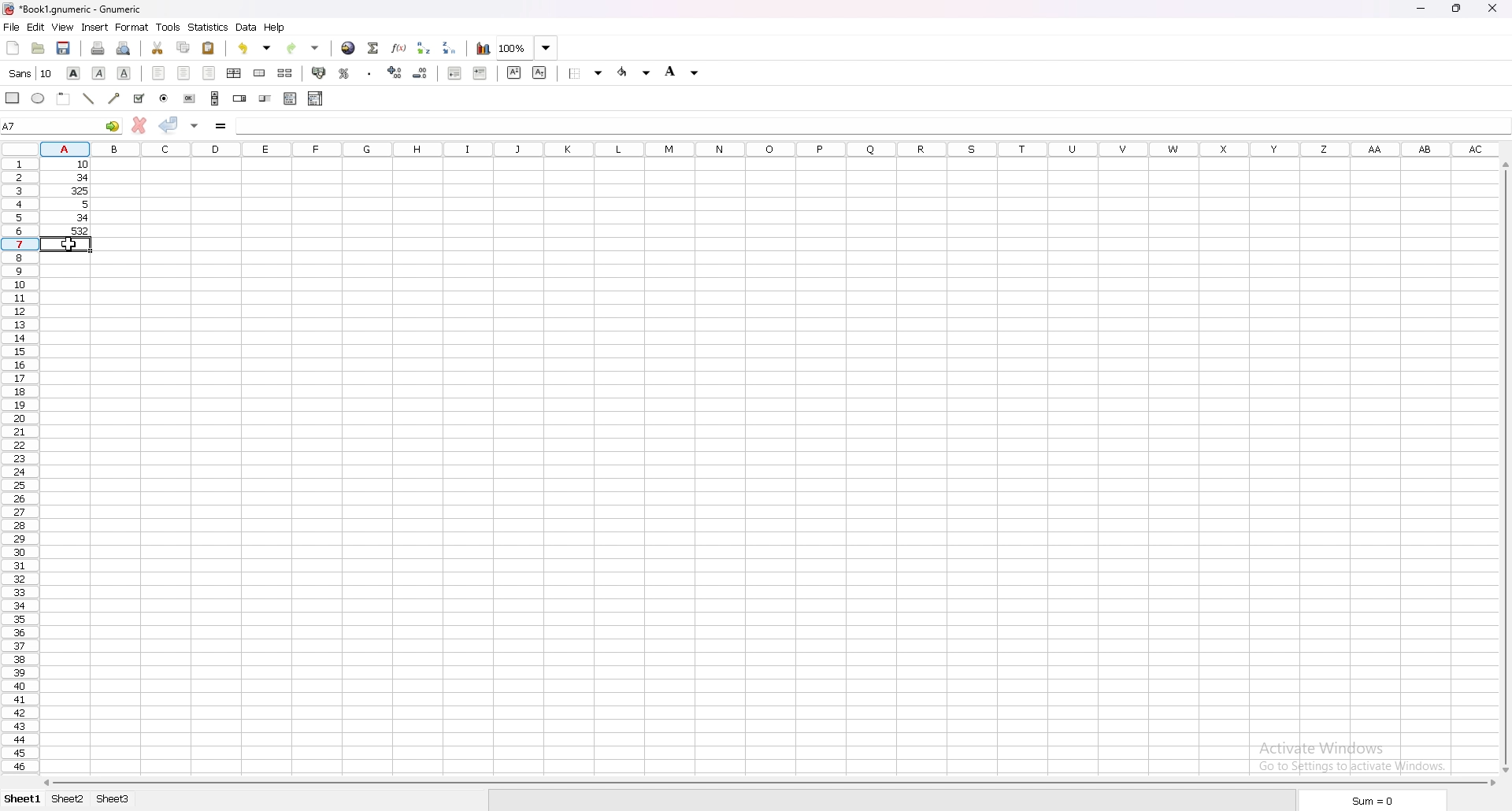 This screenshot has width=1512, height=811. Describe the element at coordinates (139, 125) in the screenshot. I see `cancel changes` at that location.